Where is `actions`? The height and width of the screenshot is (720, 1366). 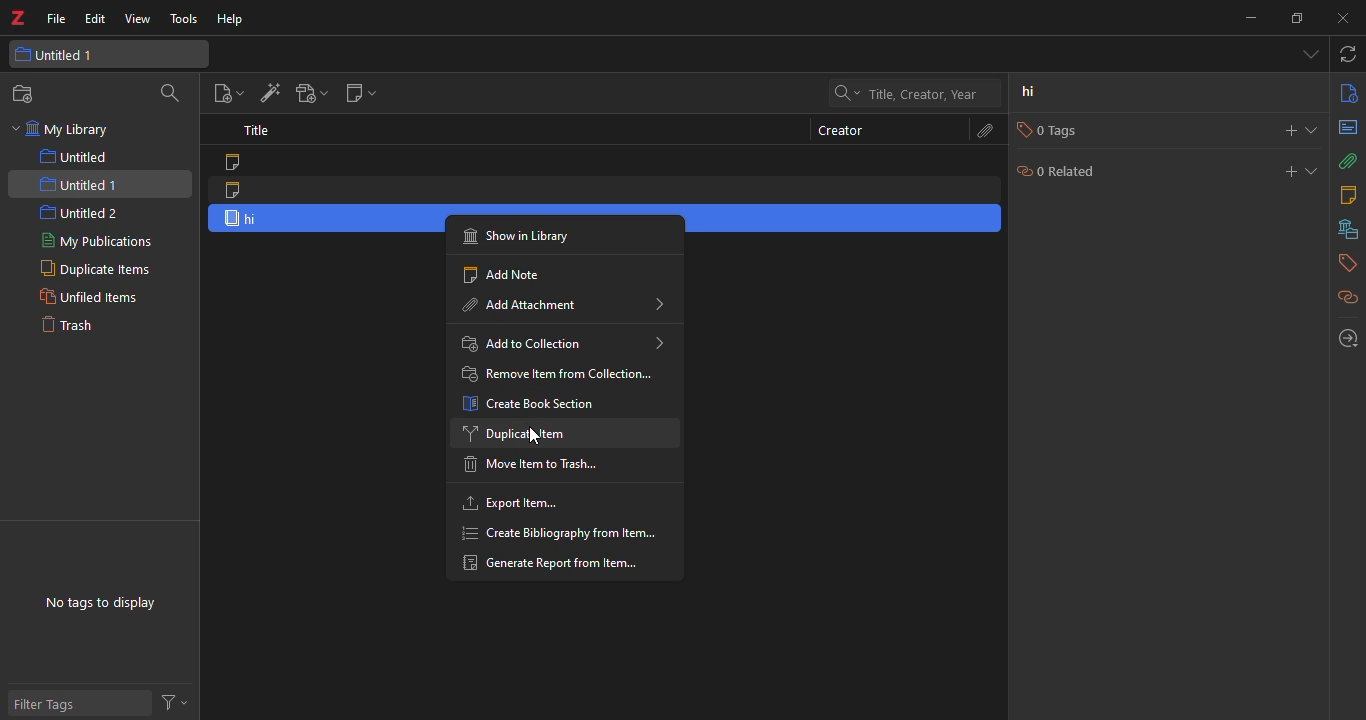
actions is located at coordinates (180, 705).